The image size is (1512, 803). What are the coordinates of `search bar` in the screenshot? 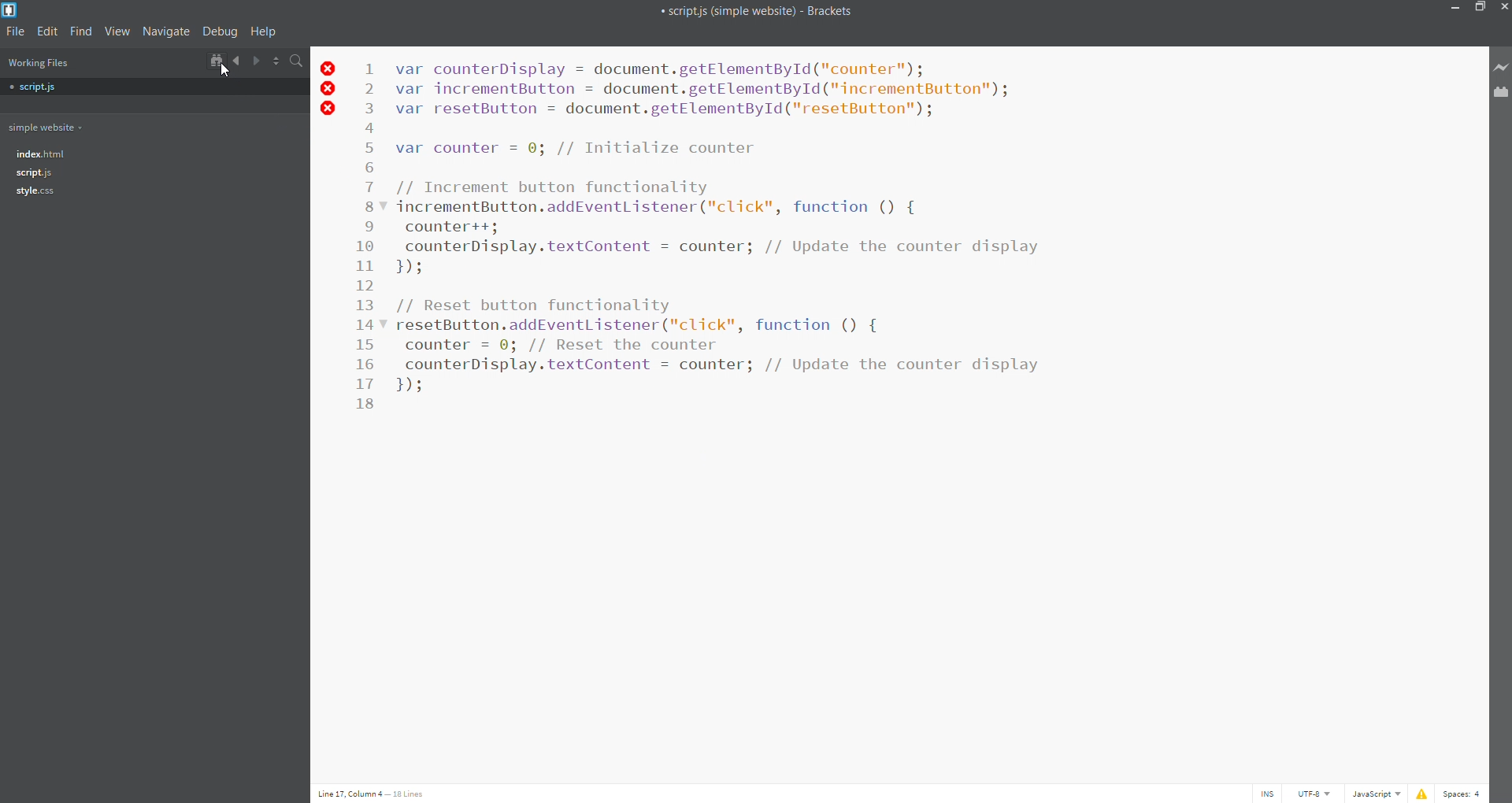 It's located at (295, 61).